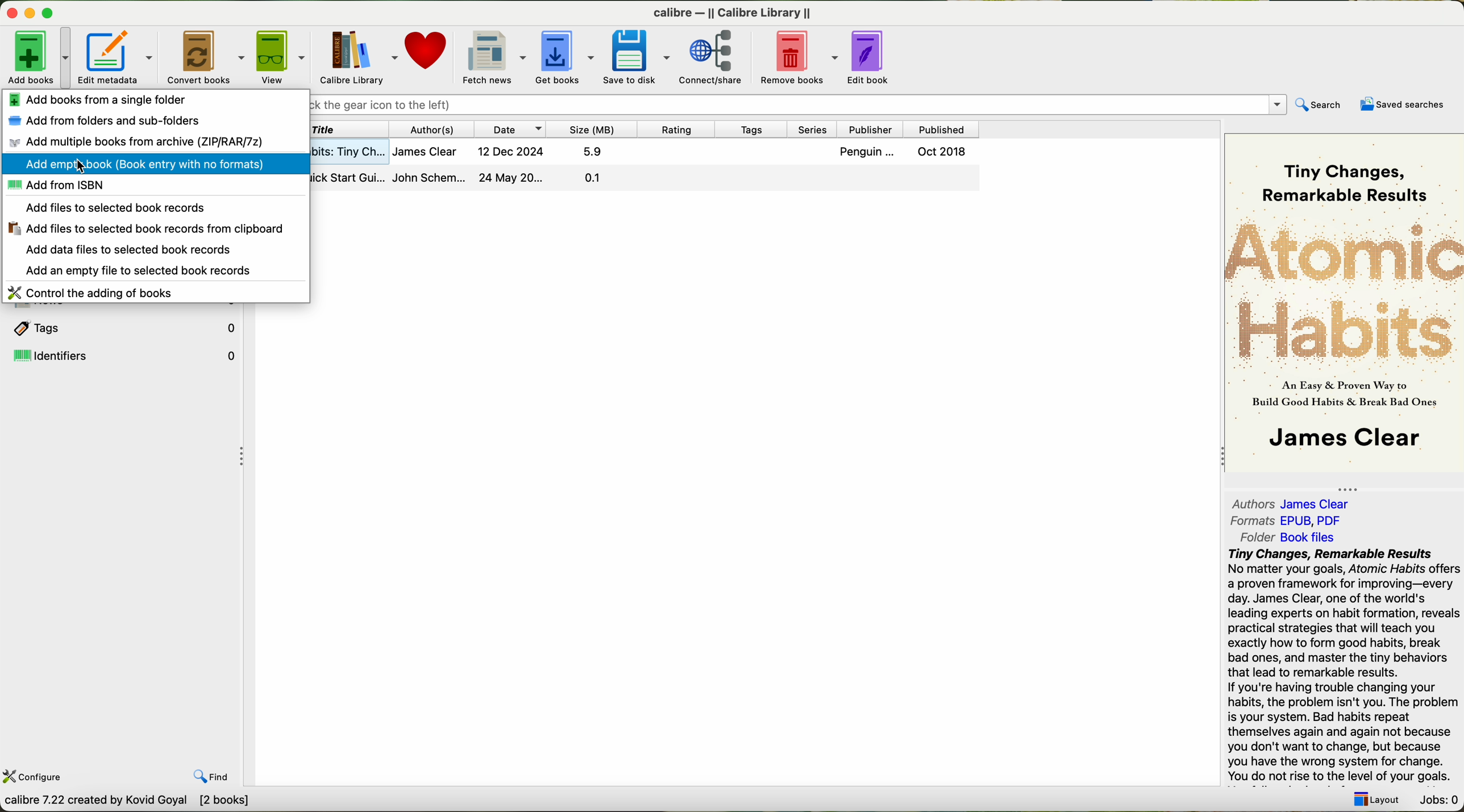 This screenshot has height=812, width=1464. Describe the element at coordinates (123, 356) in the screenshot. I see `identifiers` at that location.